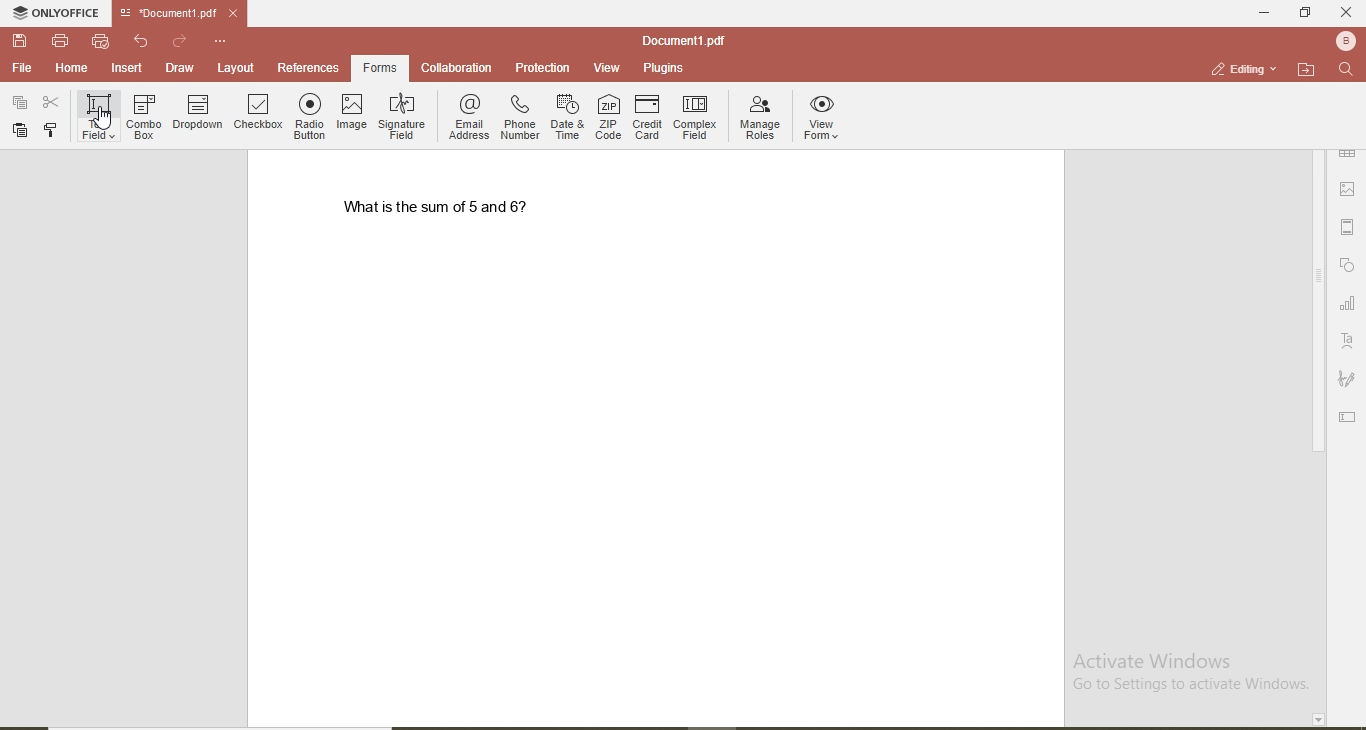  I want to click on dropdown, so click(198, 115).